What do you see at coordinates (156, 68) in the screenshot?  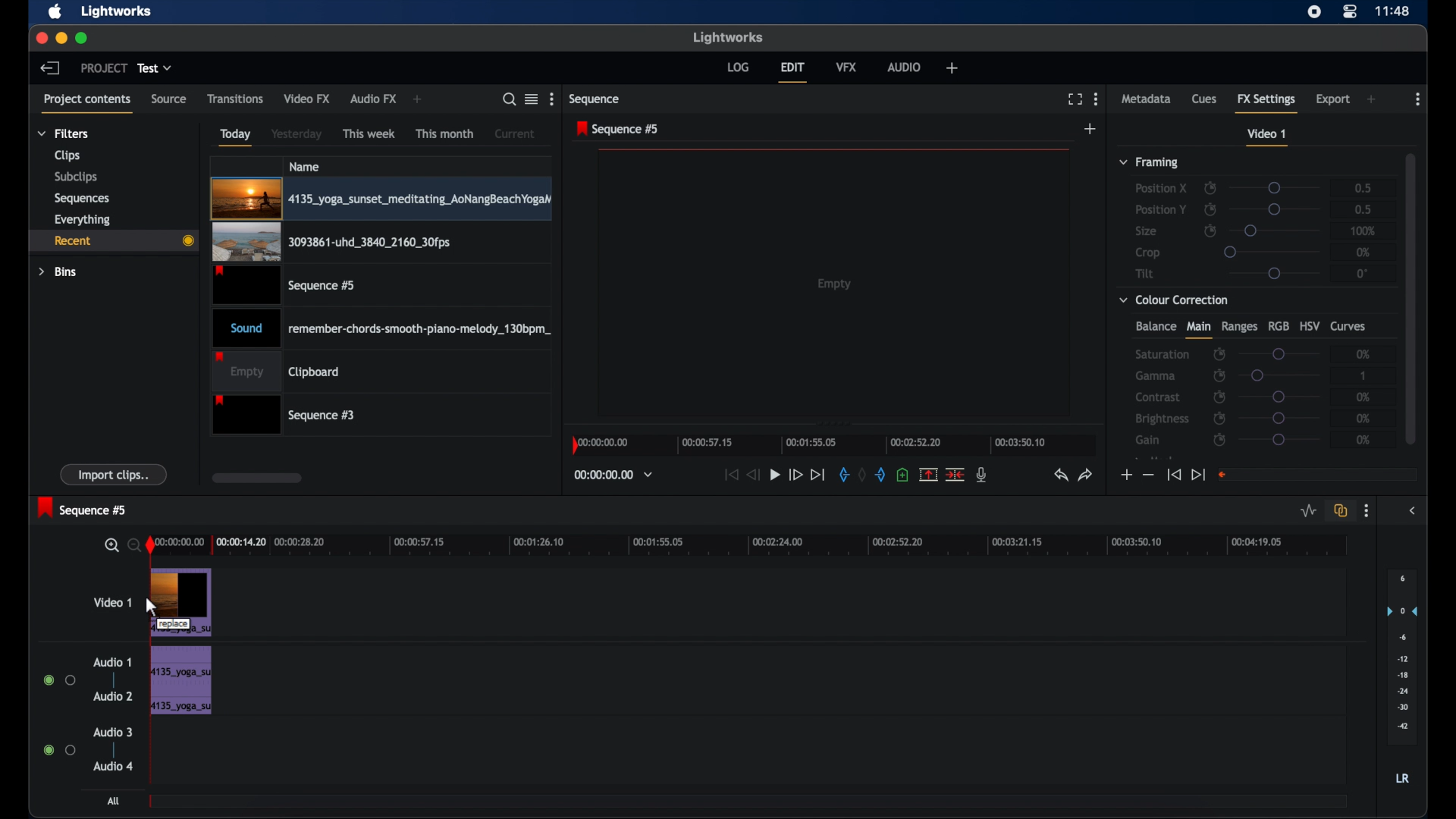 I see `test` at bounding box center [156, 68].